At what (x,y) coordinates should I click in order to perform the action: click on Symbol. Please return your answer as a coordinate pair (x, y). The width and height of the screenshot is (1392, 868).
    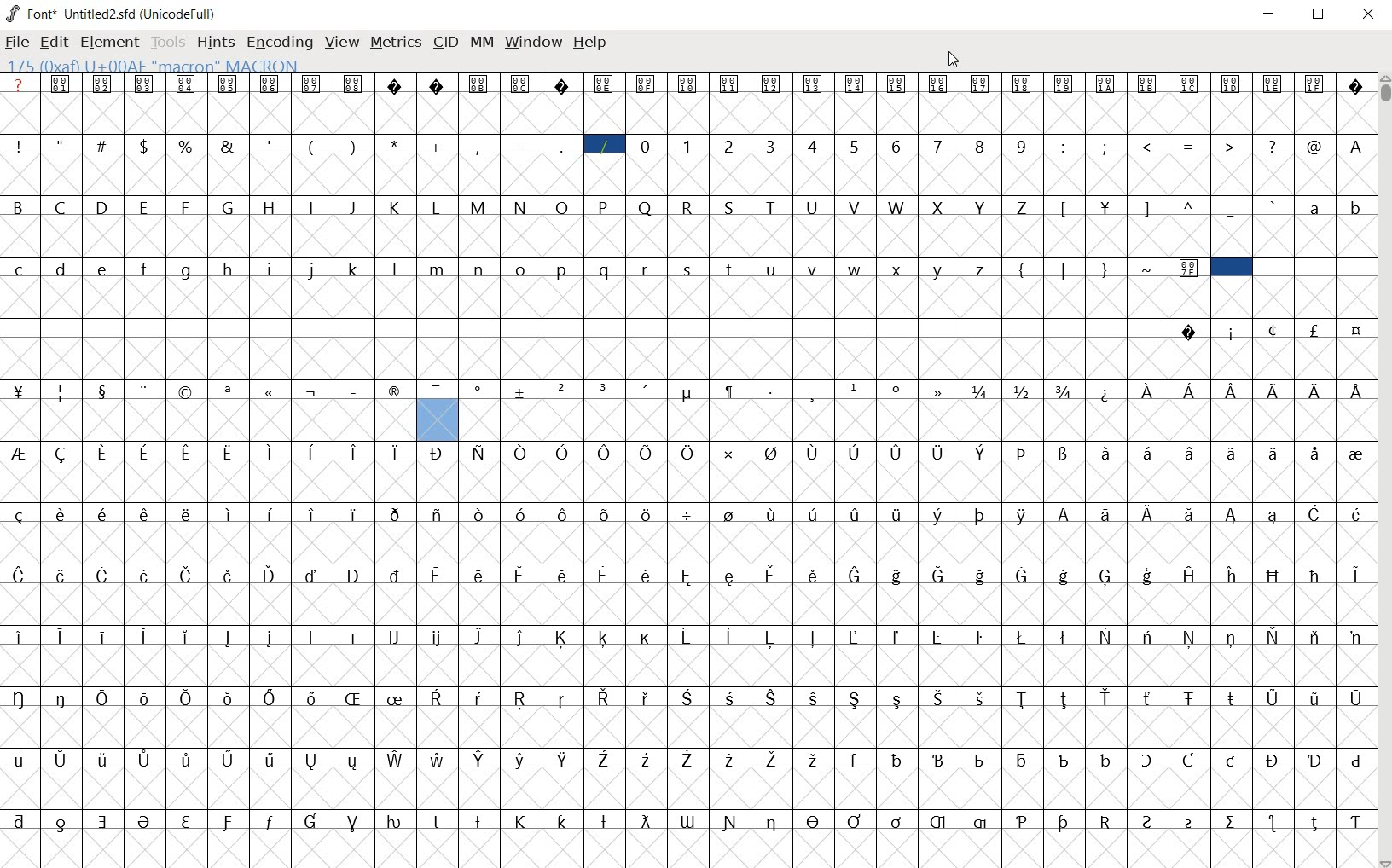
    Looking at the image, I should click on (815, 454).